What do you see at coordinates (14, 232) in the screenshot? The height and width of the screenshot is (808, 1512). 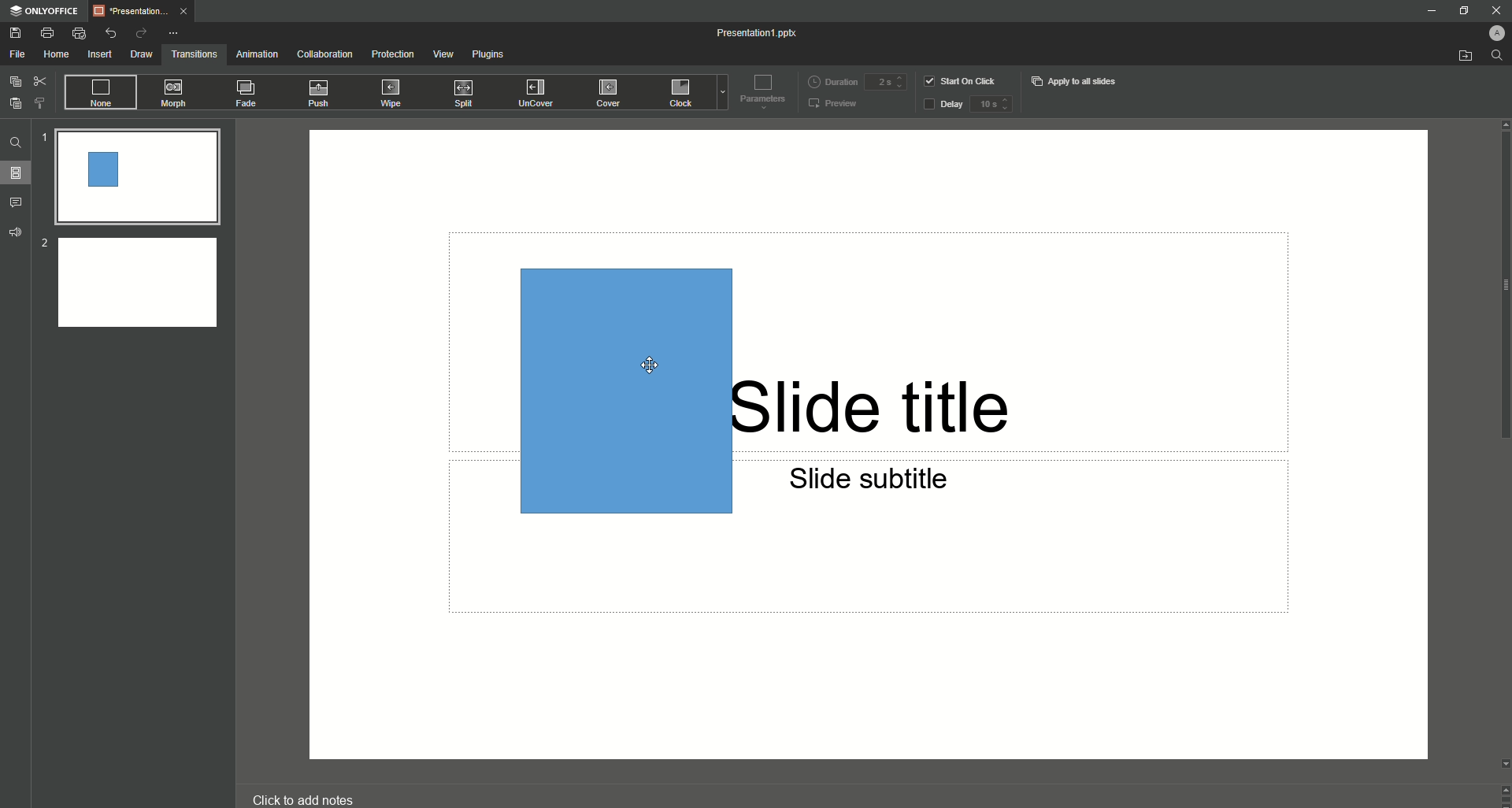 I see `Feedback` at bounding box center [14, 232].